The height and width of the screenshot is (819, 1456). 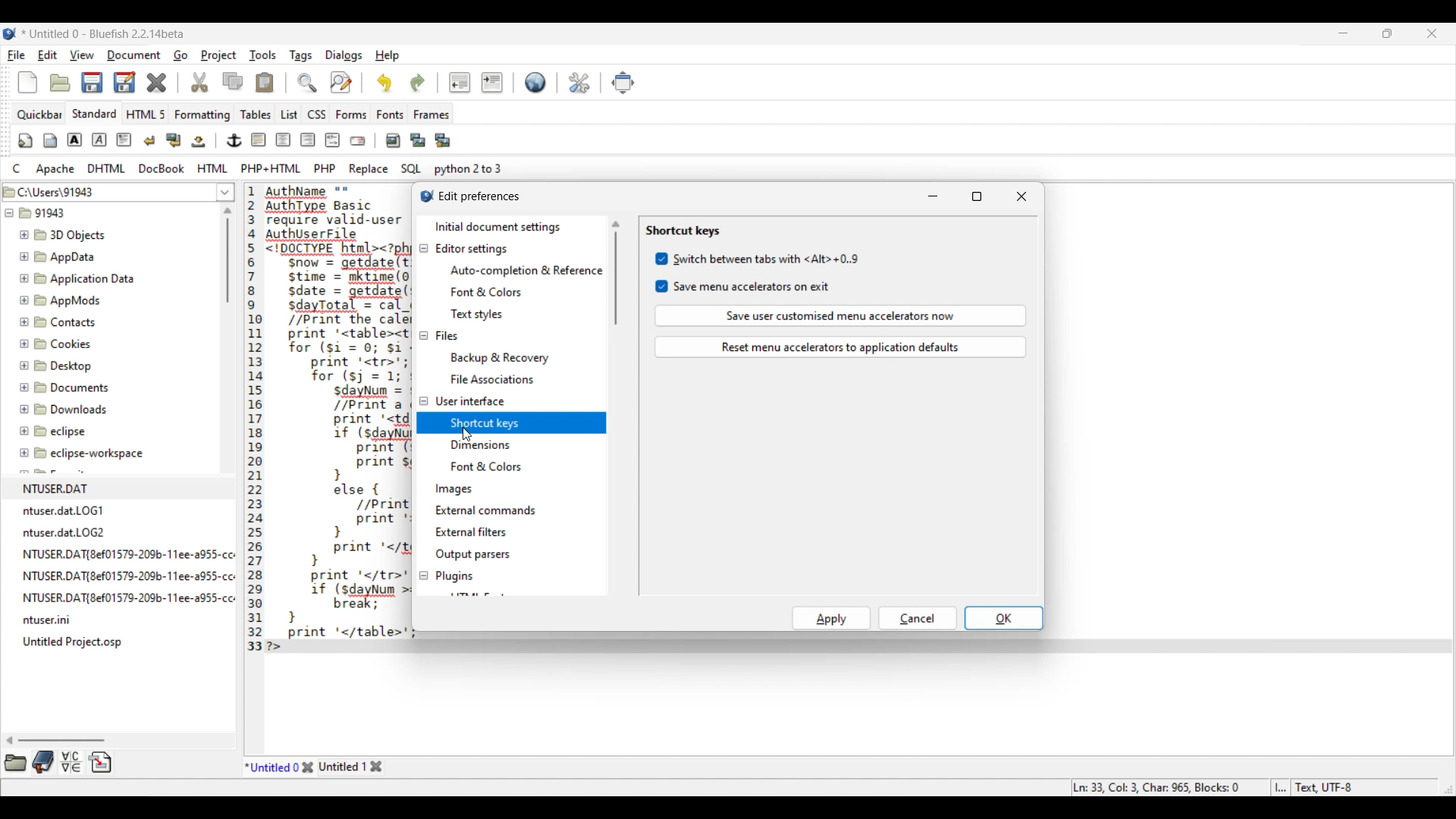 I want to click on Indicates toggle on/off, so click(x=662, y=272).